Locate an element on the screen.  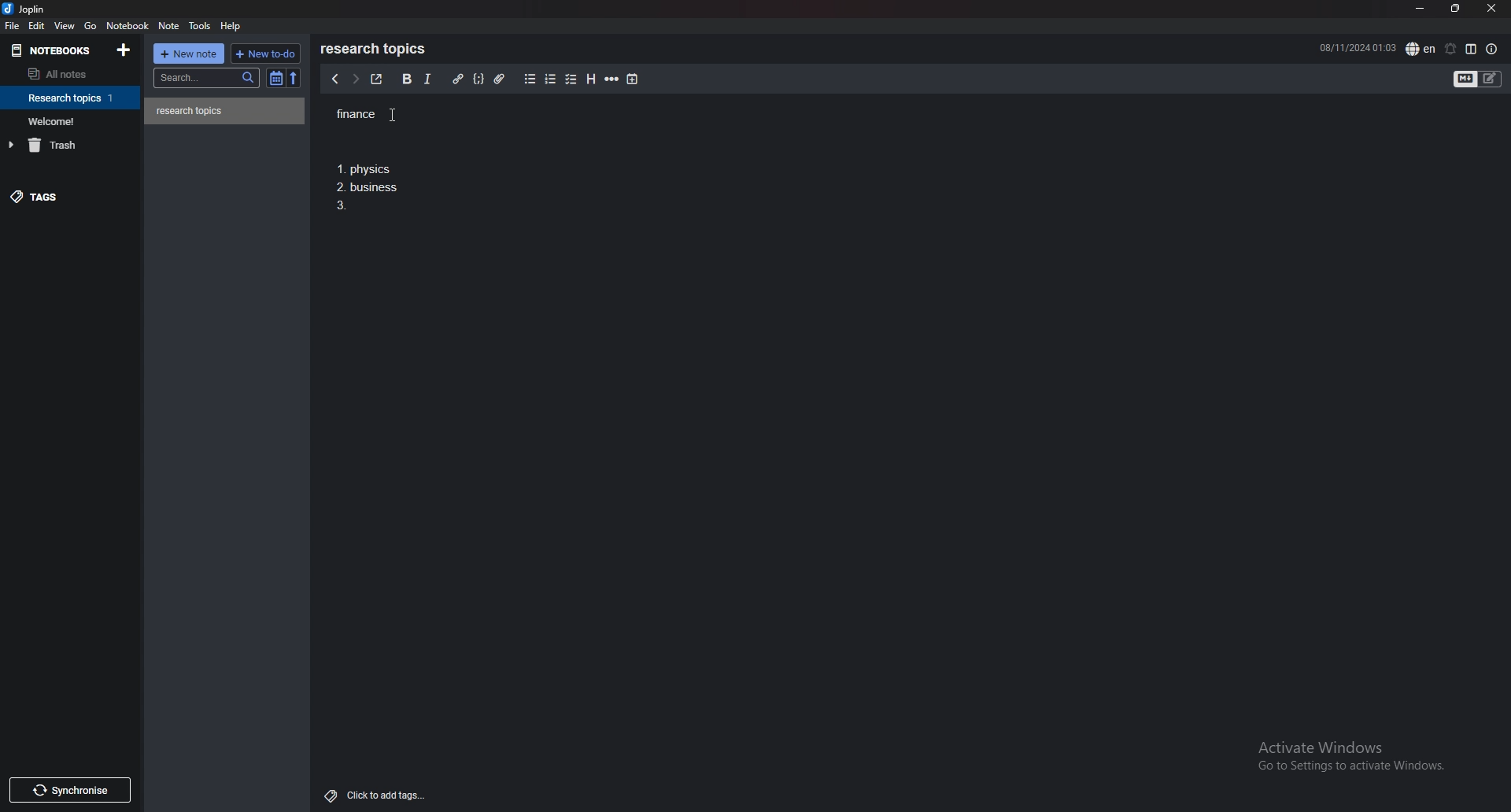
bullet list is located at coordinates (530, 79).